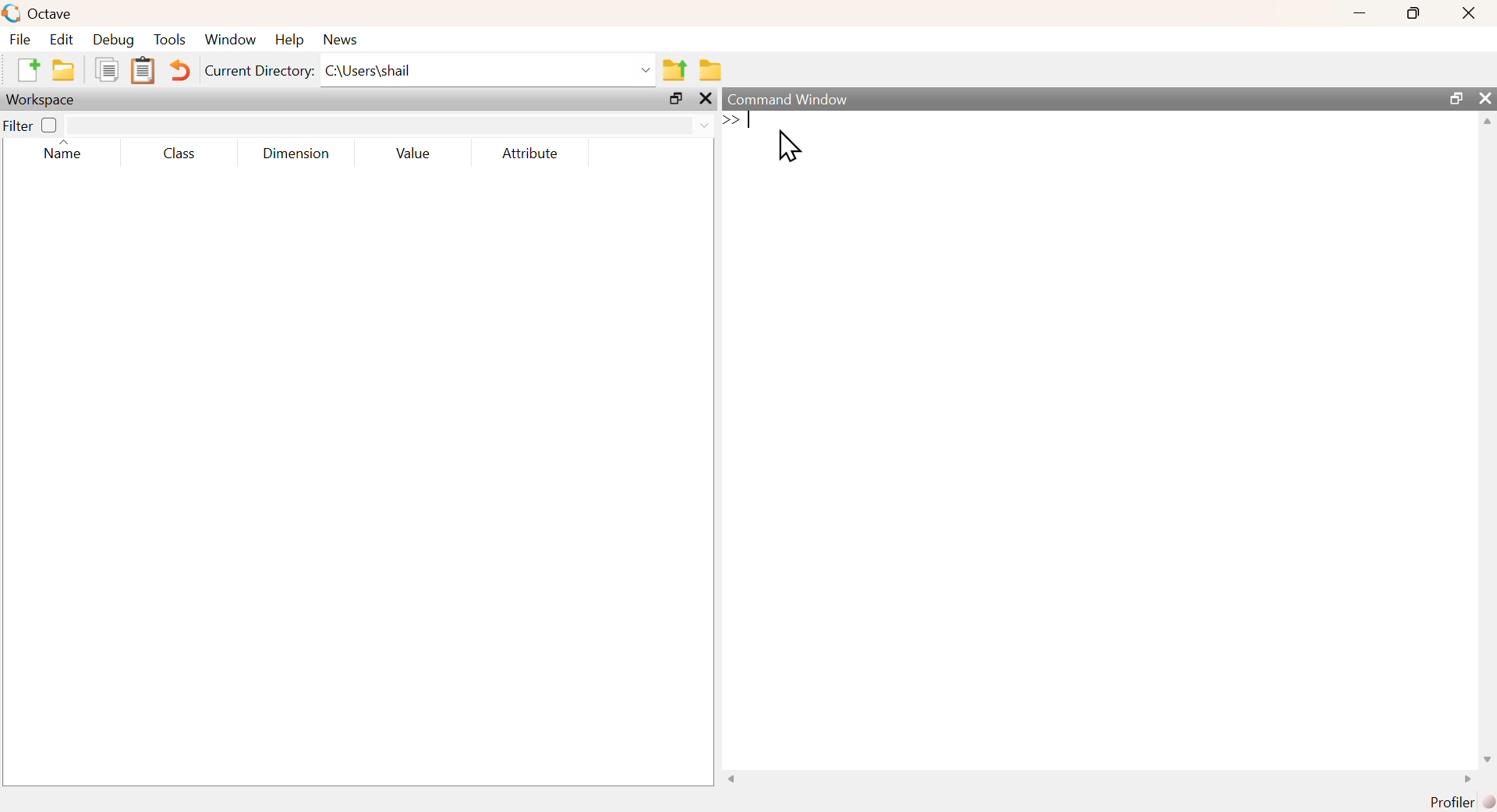  What do you see at coordinates (143, 71) in the screenshot?
I see `Paste` at bounding box center [143, 71].